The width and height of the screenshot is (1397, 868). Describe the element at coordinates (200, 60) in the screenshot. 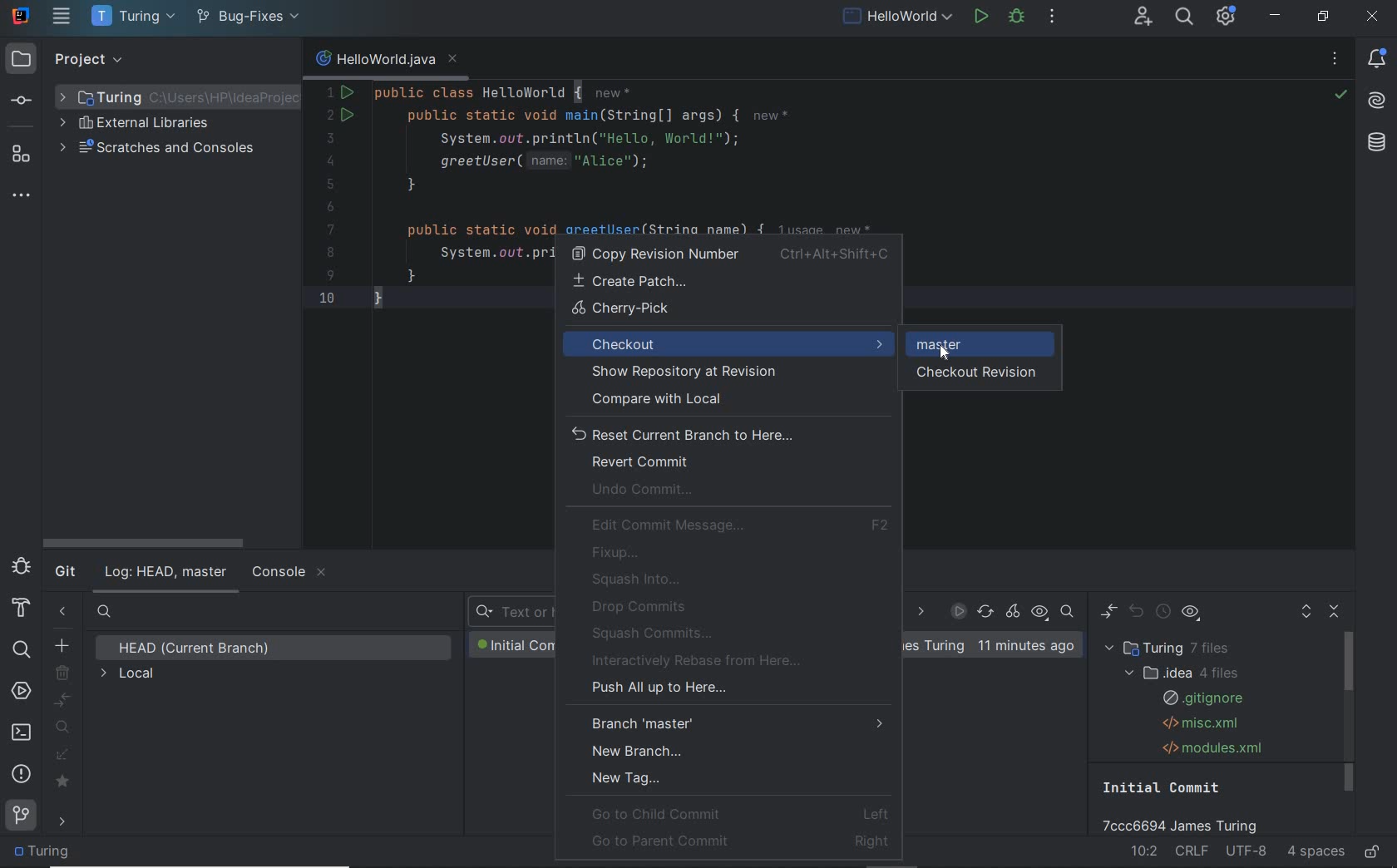

I see `expand` at that location.